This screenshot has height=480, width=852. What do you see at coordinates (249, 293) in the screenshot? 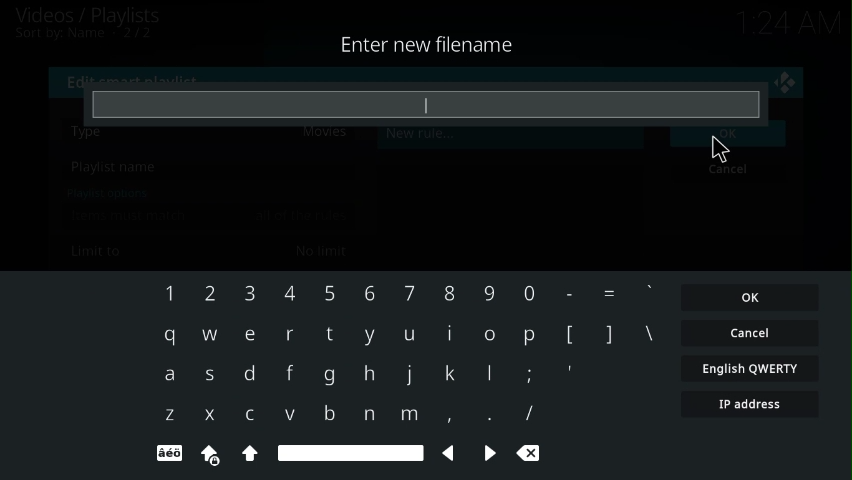
I see `3` at bounding box center [249, 293].